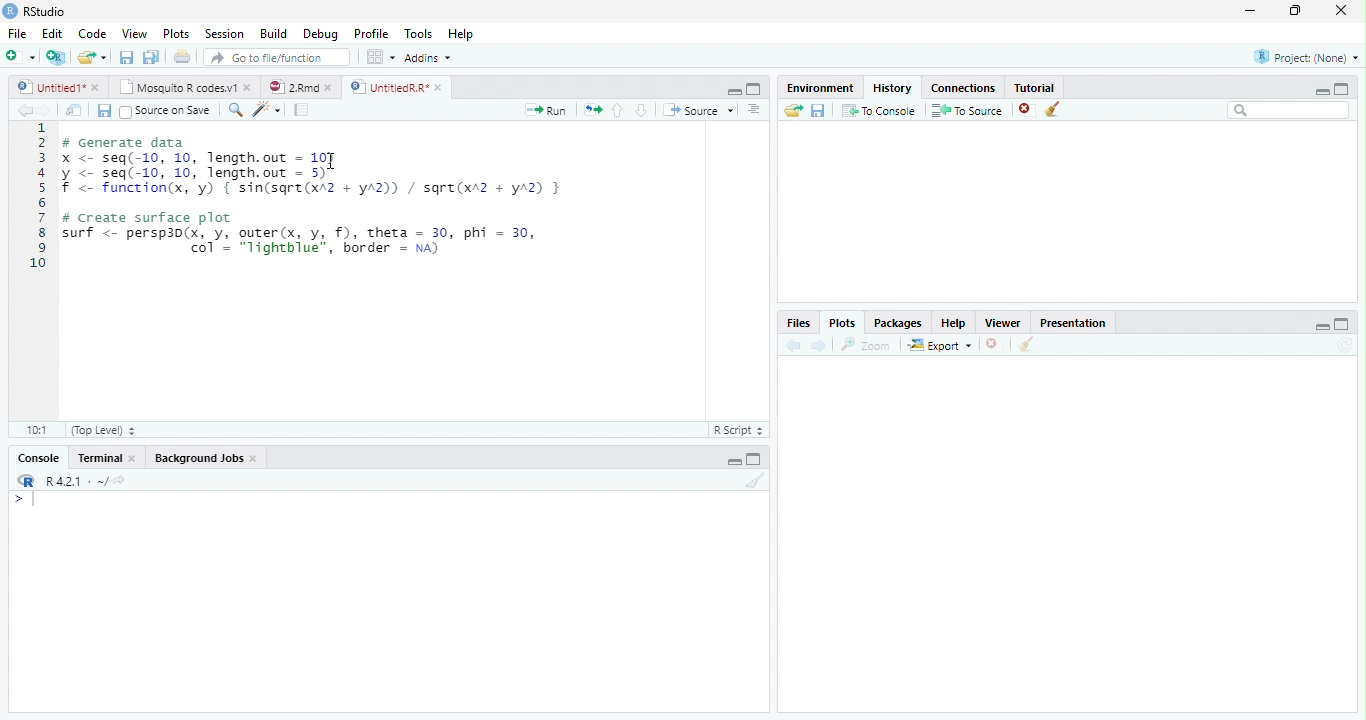 Image resolution: width=1366 pixels, height=720 pixels. I want to click on close, so click(1341, 10).